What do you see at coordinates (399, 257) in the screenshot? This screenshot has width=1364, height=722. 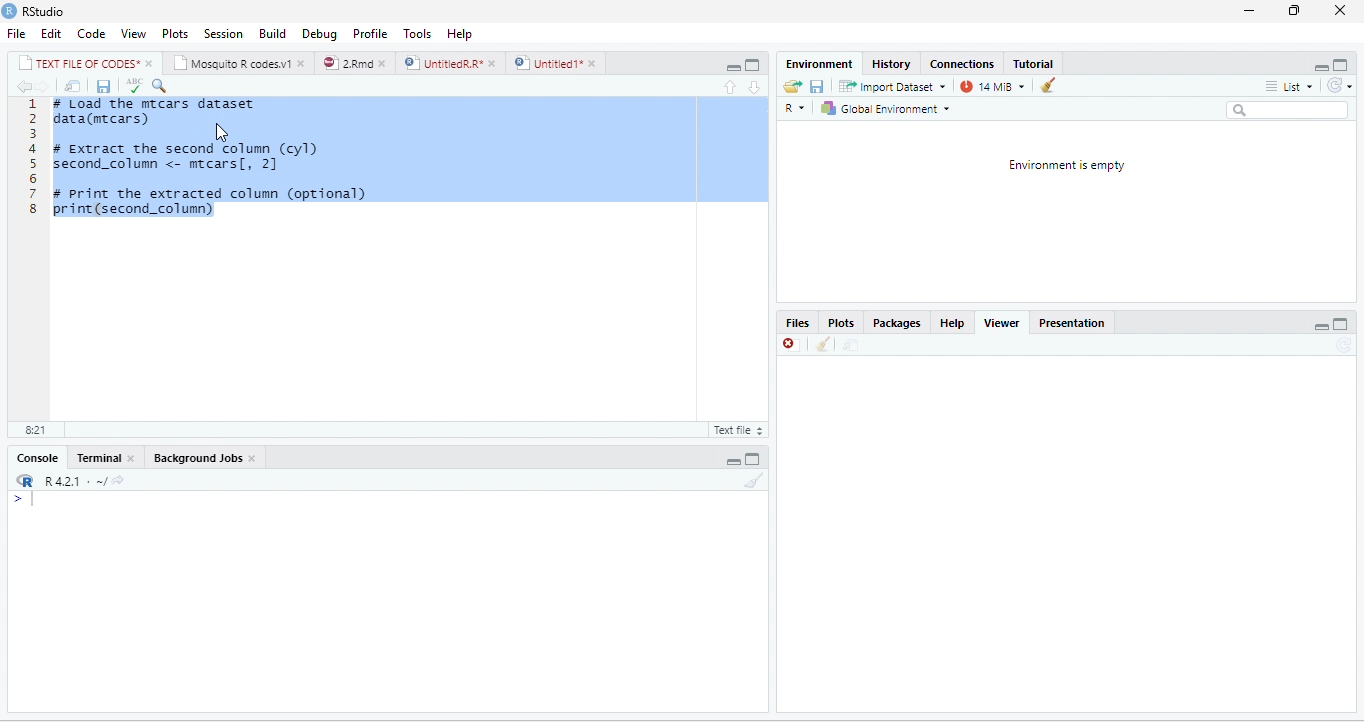 I see `1 # Load the mrcars dataset

2 data(mecars)

3

4 # Extract the second column (cyl)

5 second_column <- mrcars[, 2]

6

7 # print the extracted column (optional)
8 print(second_column)` at bounding box center [399, 257].